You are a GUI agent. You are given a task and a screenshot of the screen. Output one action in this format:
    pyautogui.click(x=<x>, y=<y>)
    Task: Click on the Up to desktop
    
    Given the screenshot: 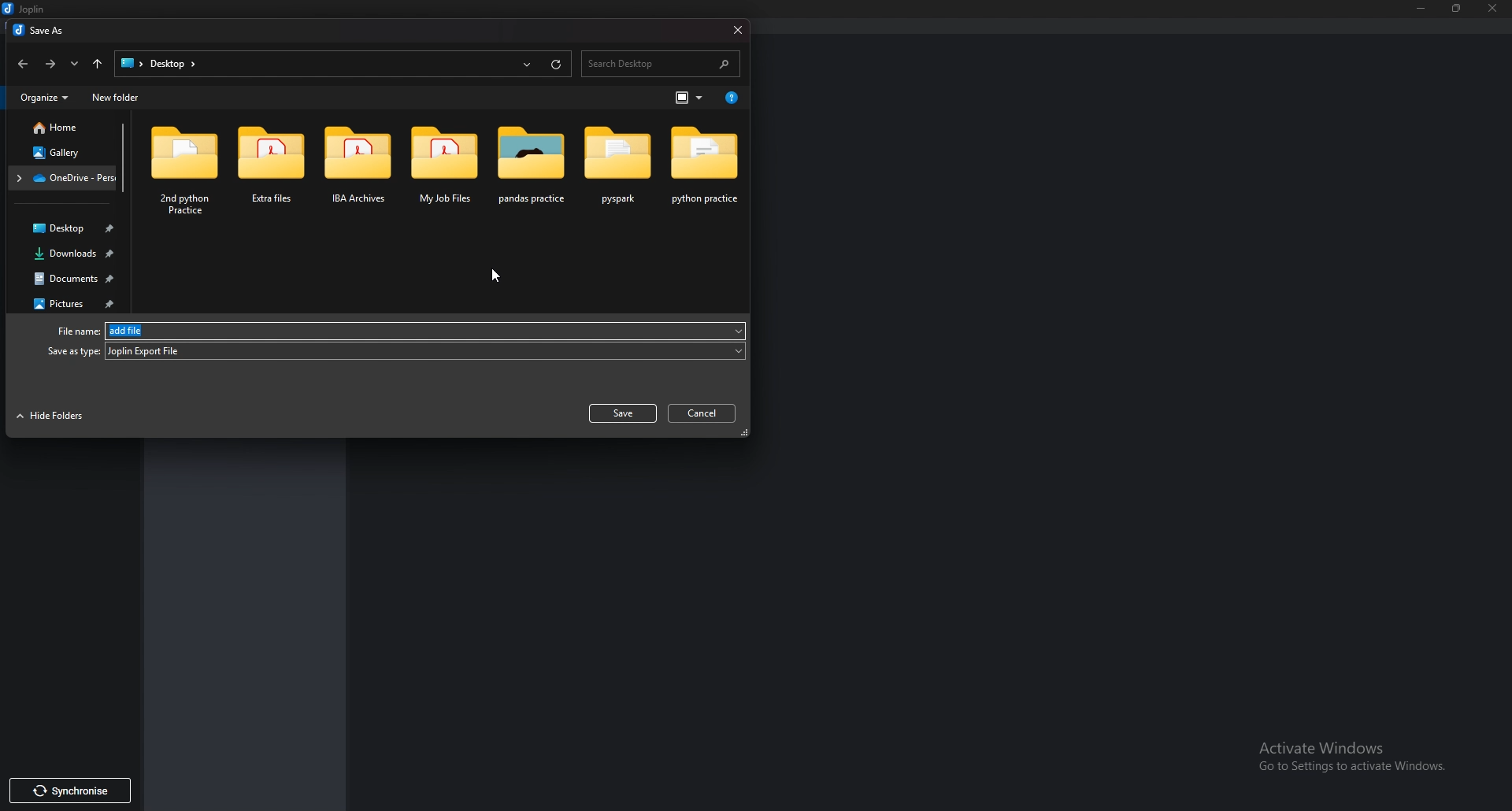 What is the action you would take?
    pyautogui.click(x=97, y=63)
    